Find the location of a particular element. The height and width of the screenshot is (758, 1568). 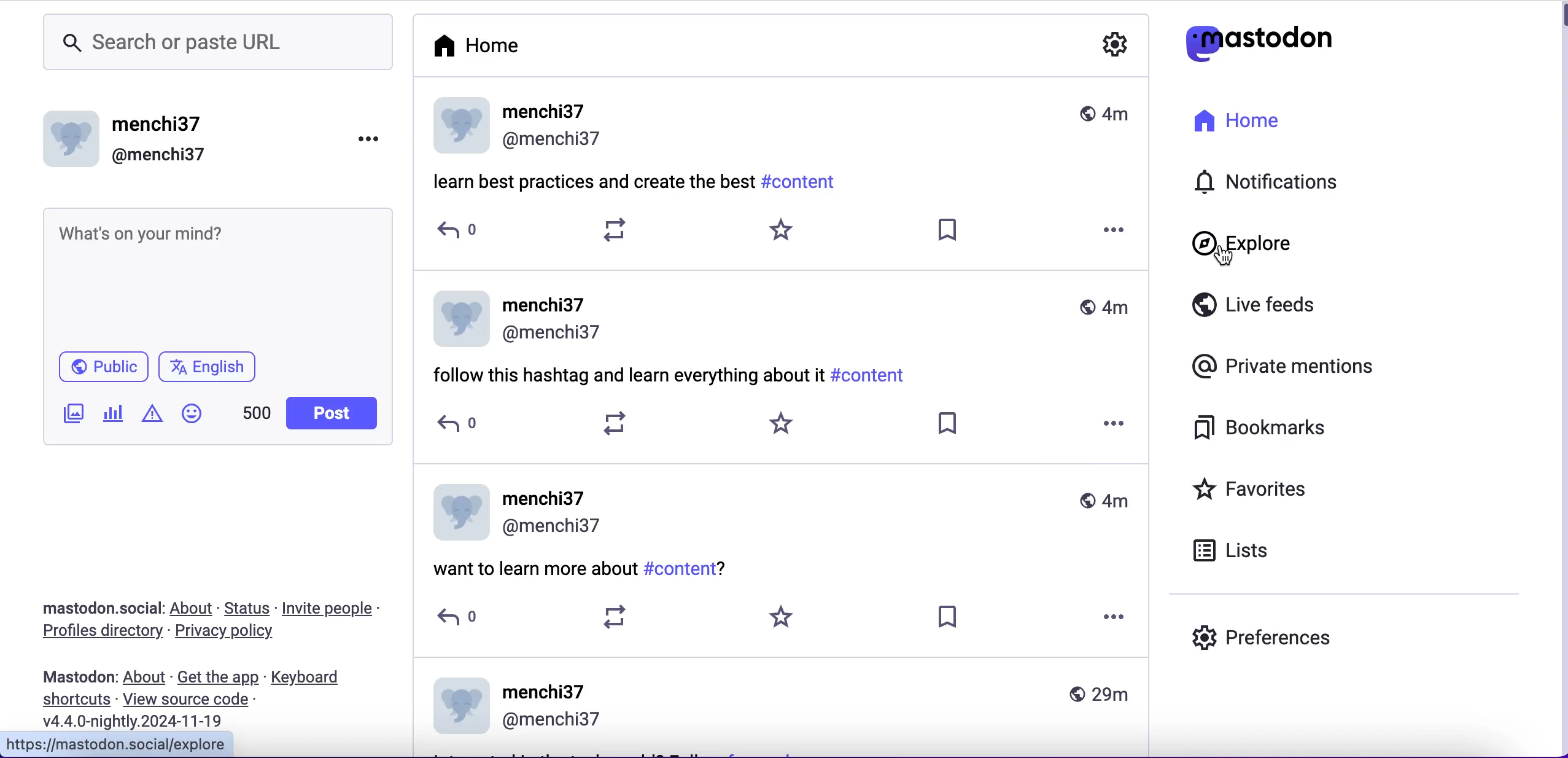

keyboard is located at coordinates (317, 676).